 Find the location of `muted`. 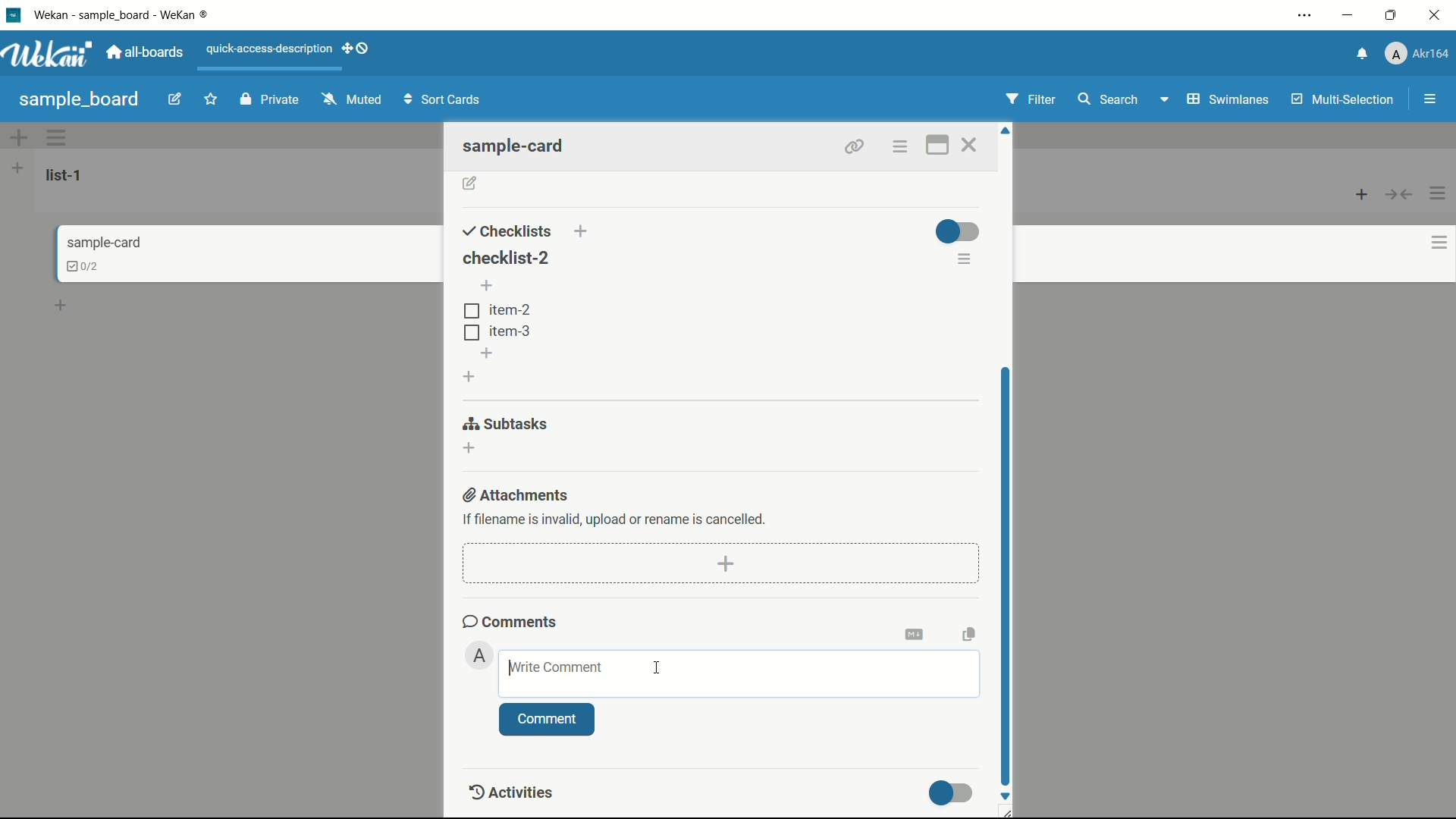

muted is located at coordinates (350, 100).